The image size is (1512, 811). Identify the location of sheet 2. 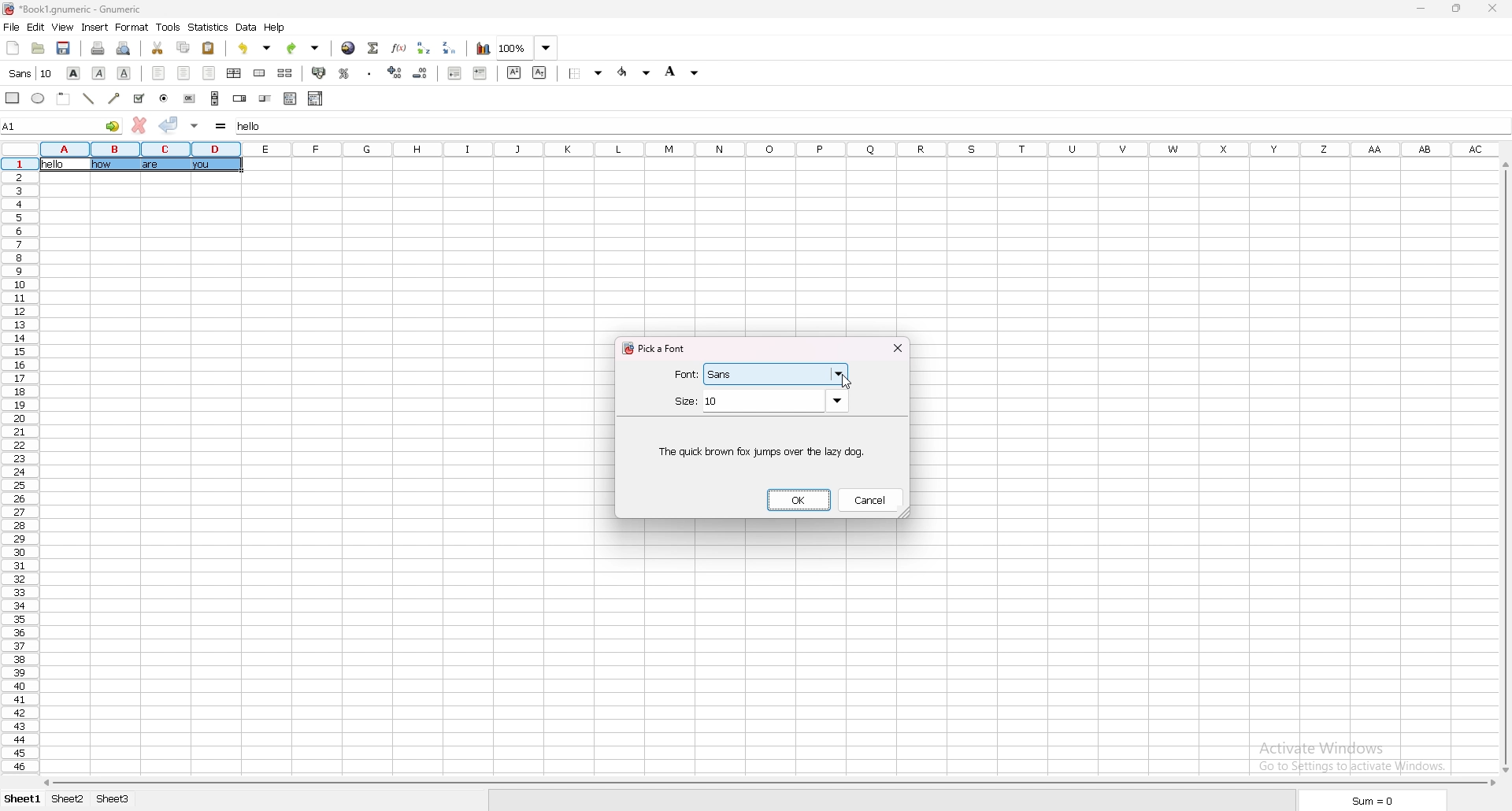
(69, 799).